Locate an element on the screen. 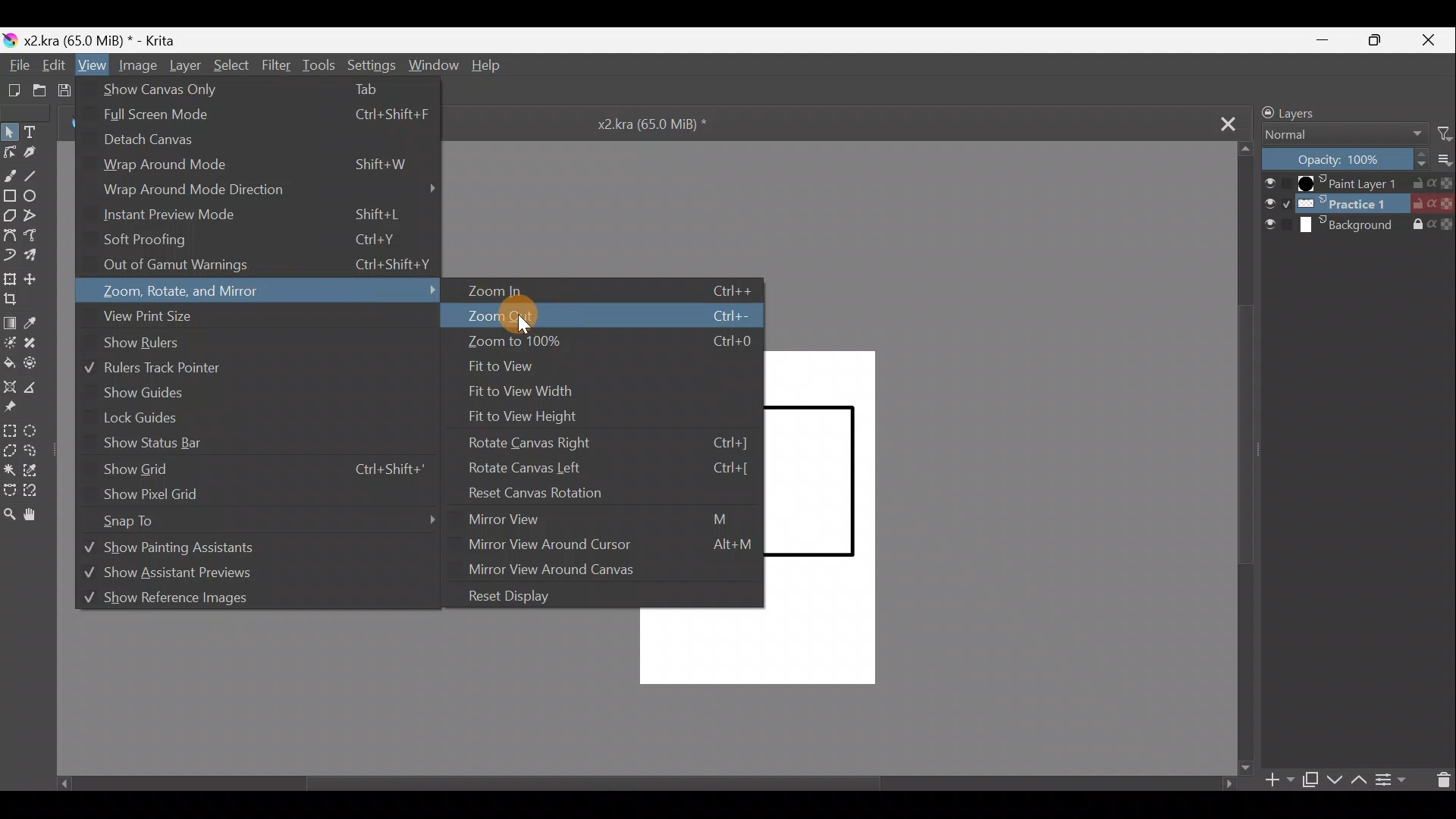 This screenshot has height=819, width=1456. Soft proofing is located at coordinates (261, 241).